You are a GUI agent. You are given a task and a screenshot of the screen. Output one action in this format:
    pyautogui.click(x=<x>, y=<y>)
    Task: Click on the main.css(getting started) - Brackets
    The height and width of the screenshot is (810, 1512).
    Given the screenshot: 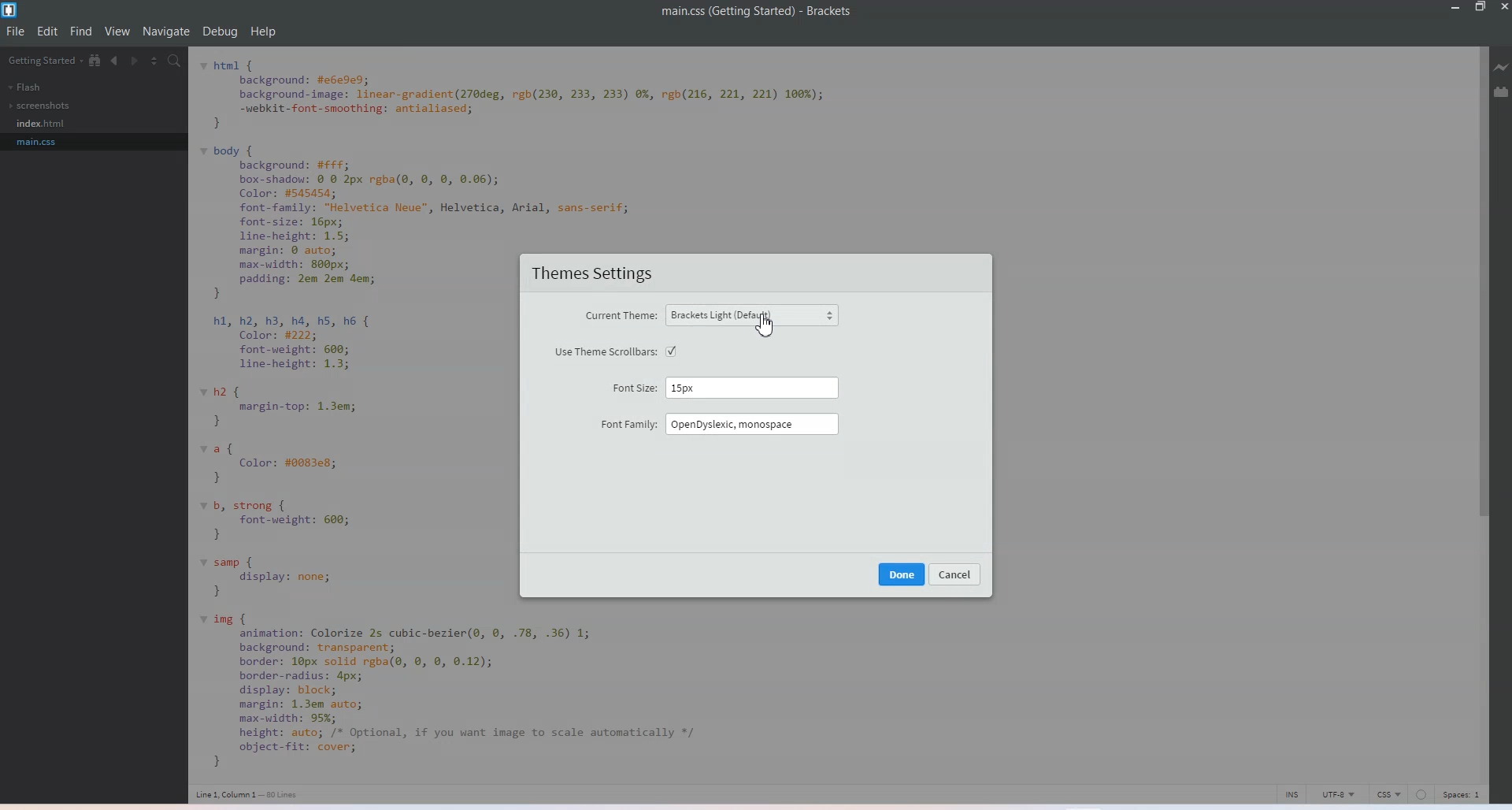 What is the action you would take?
    pyautogui.click(x=769, y=12)
    